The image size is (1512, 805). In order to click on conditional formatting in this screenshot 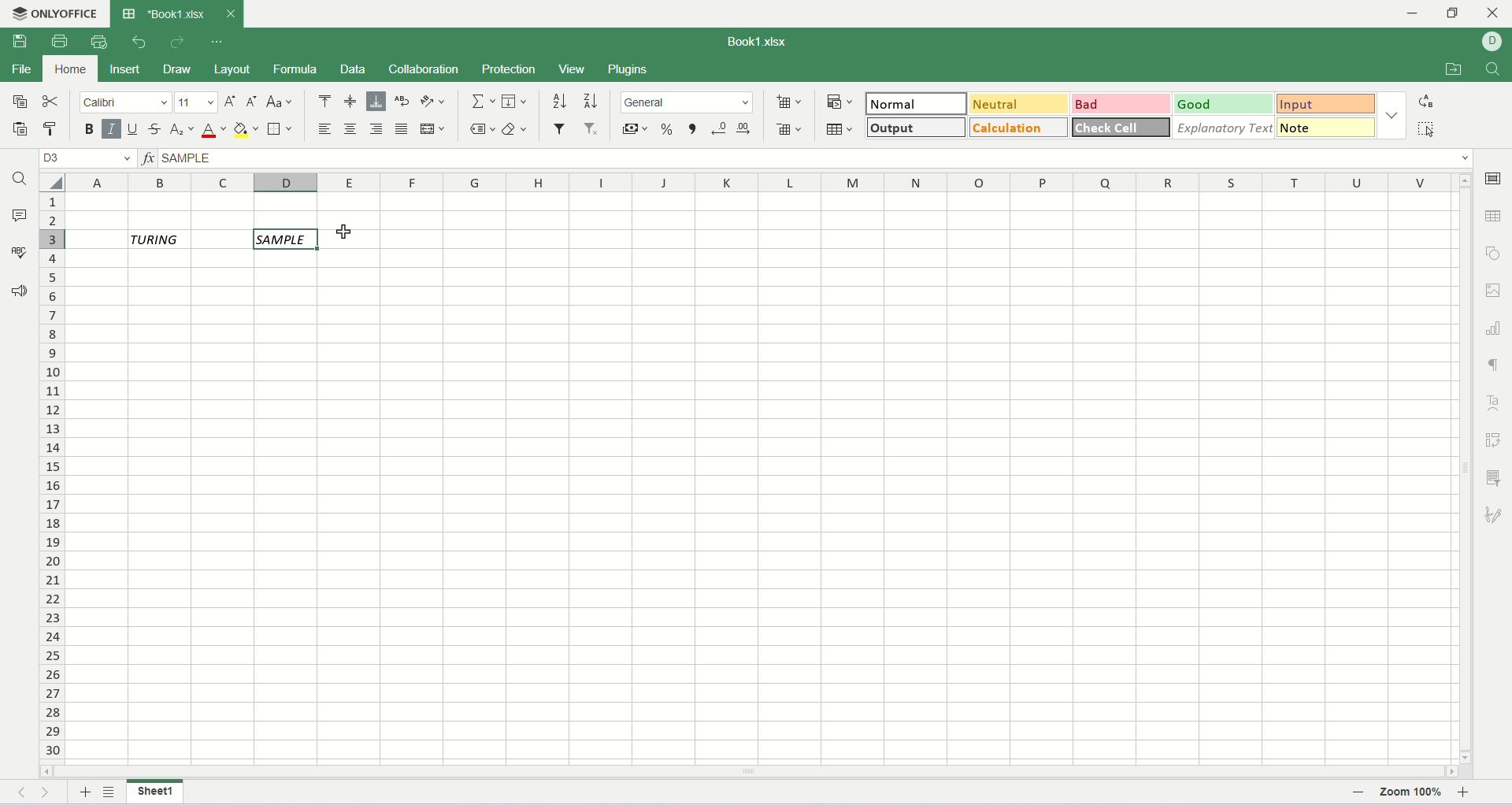, I will do `click(841, 102)`.